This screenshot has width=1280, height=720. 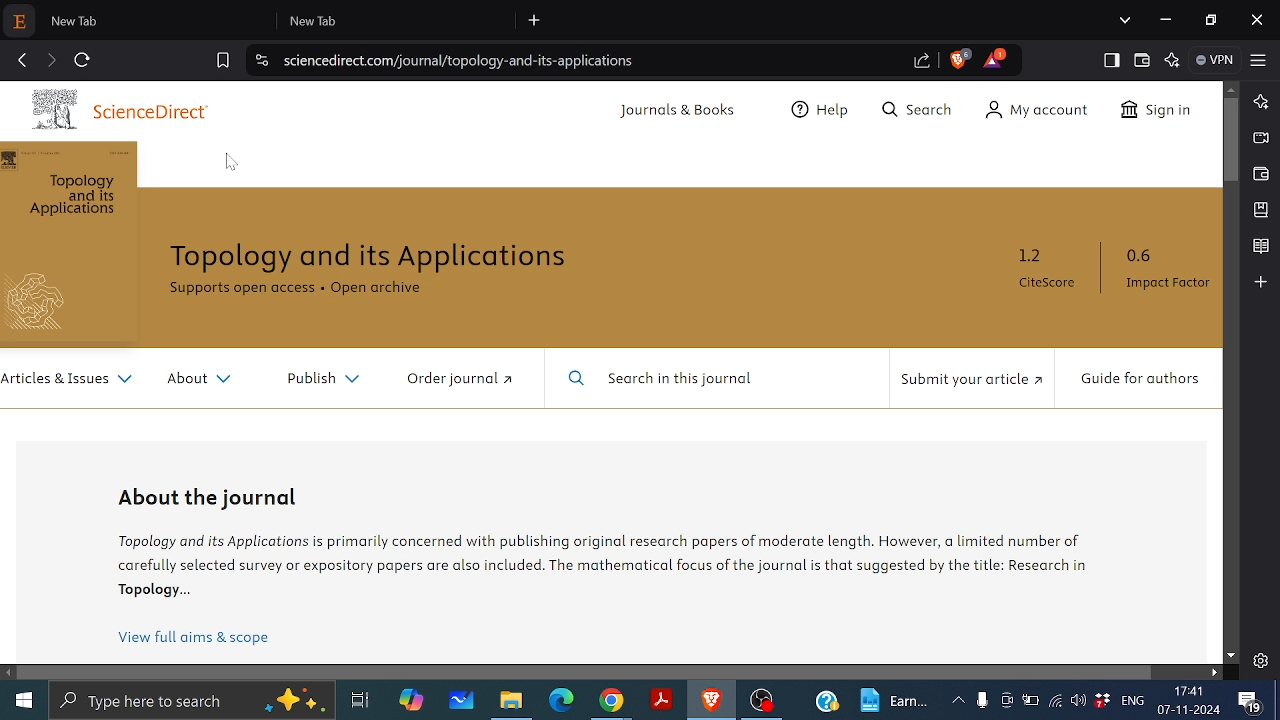 What do you see at coordinates (896, 699) in the screenshot?
I see `New` at bounding box center [896, 699].